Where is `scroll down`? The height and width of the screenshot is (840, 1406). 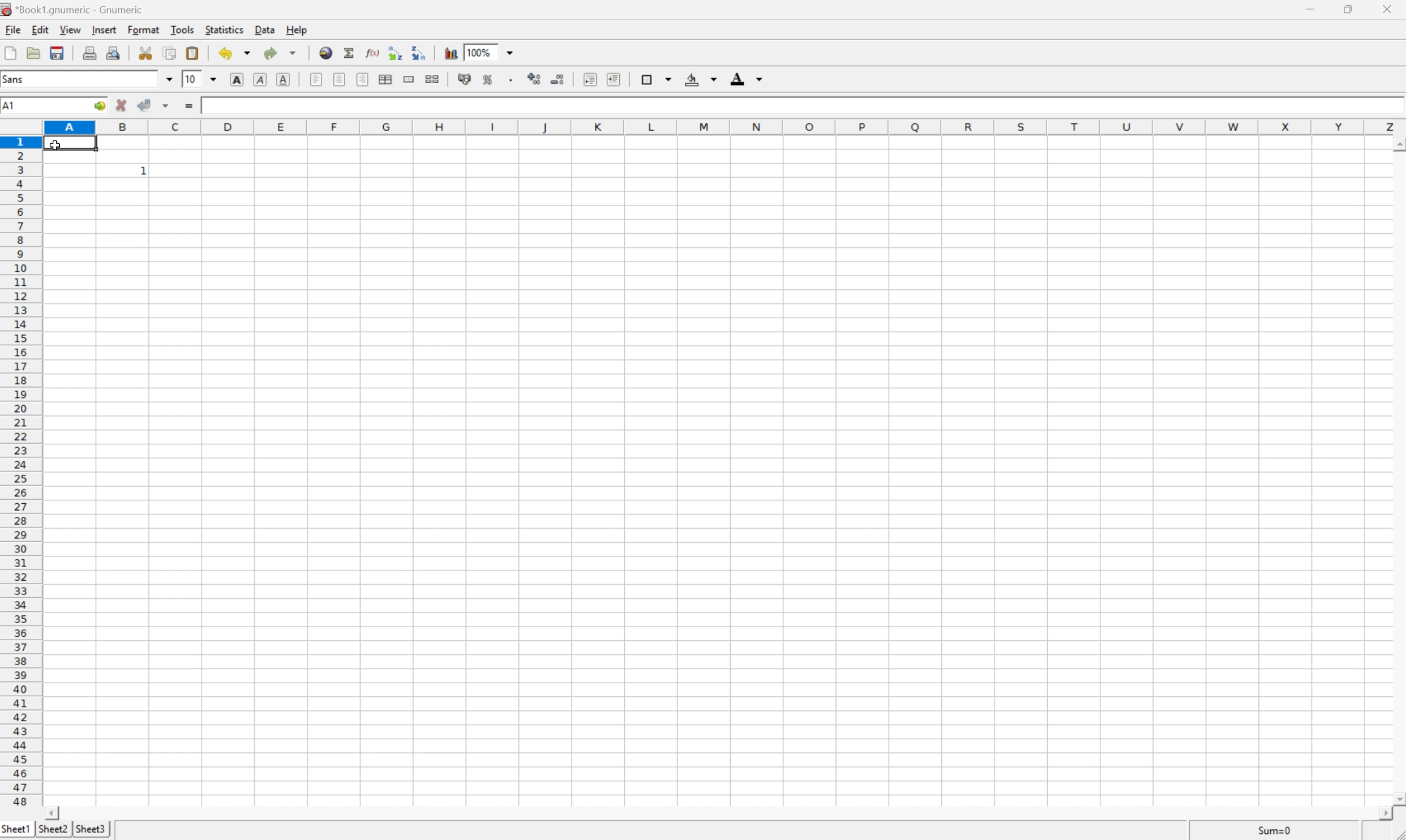
scroll down is located at coordinates (1397, 800).